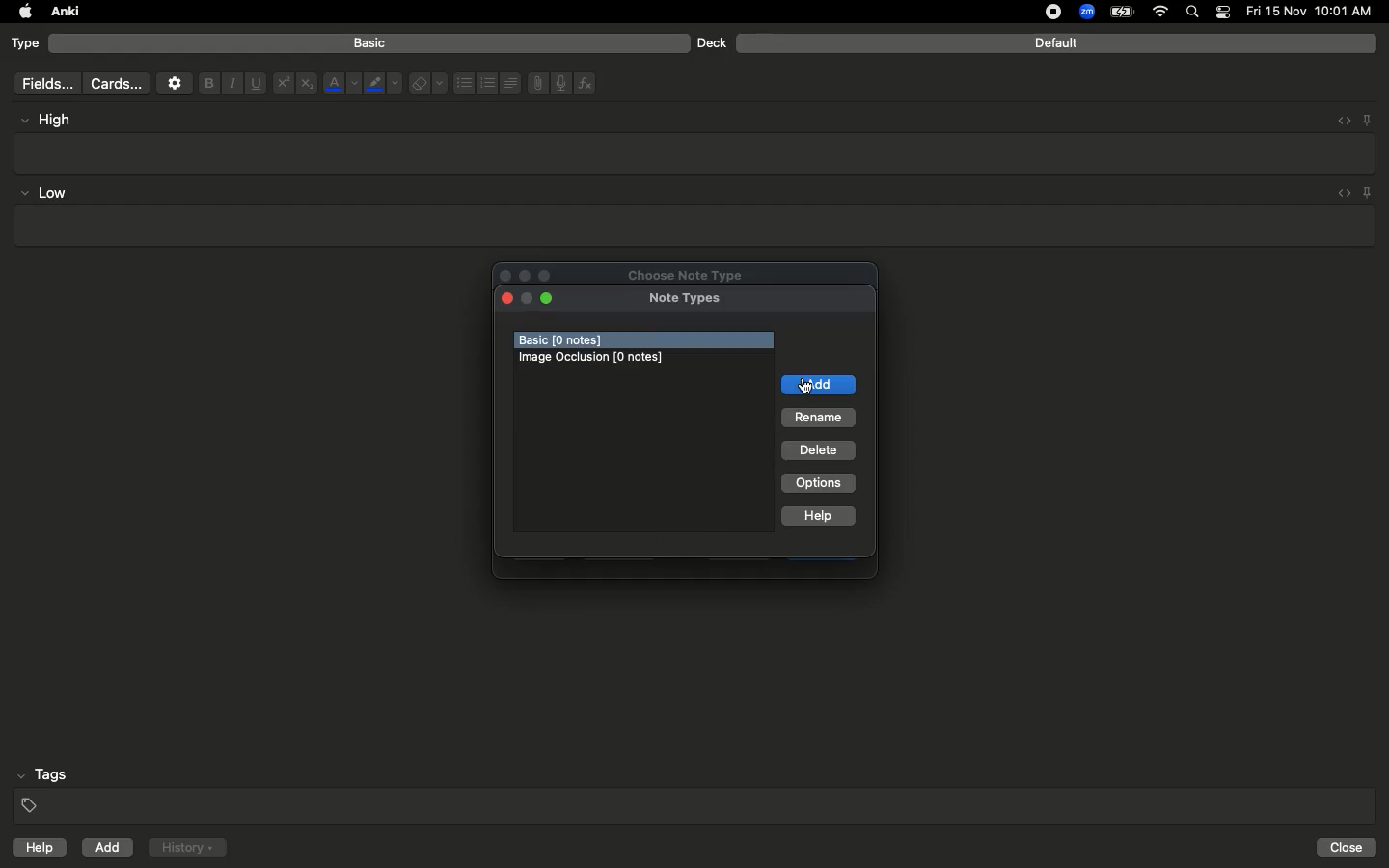 This screenshot has width=1389, height=868. Describe the element at coordinates (1195, 13) in the screenshot. I see `Search` at that location.